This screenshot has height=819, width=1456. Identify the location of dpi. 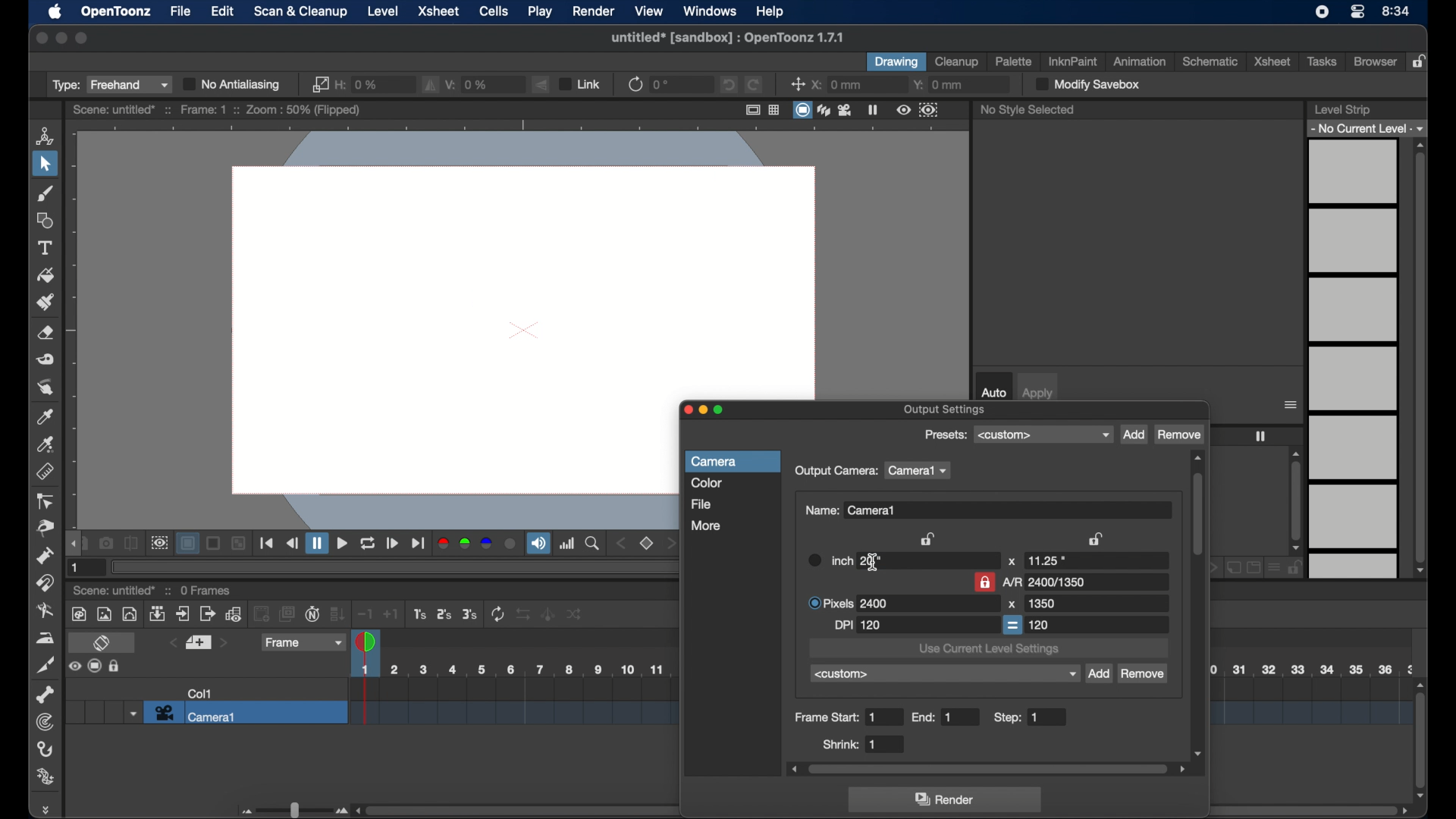
(858, 626).